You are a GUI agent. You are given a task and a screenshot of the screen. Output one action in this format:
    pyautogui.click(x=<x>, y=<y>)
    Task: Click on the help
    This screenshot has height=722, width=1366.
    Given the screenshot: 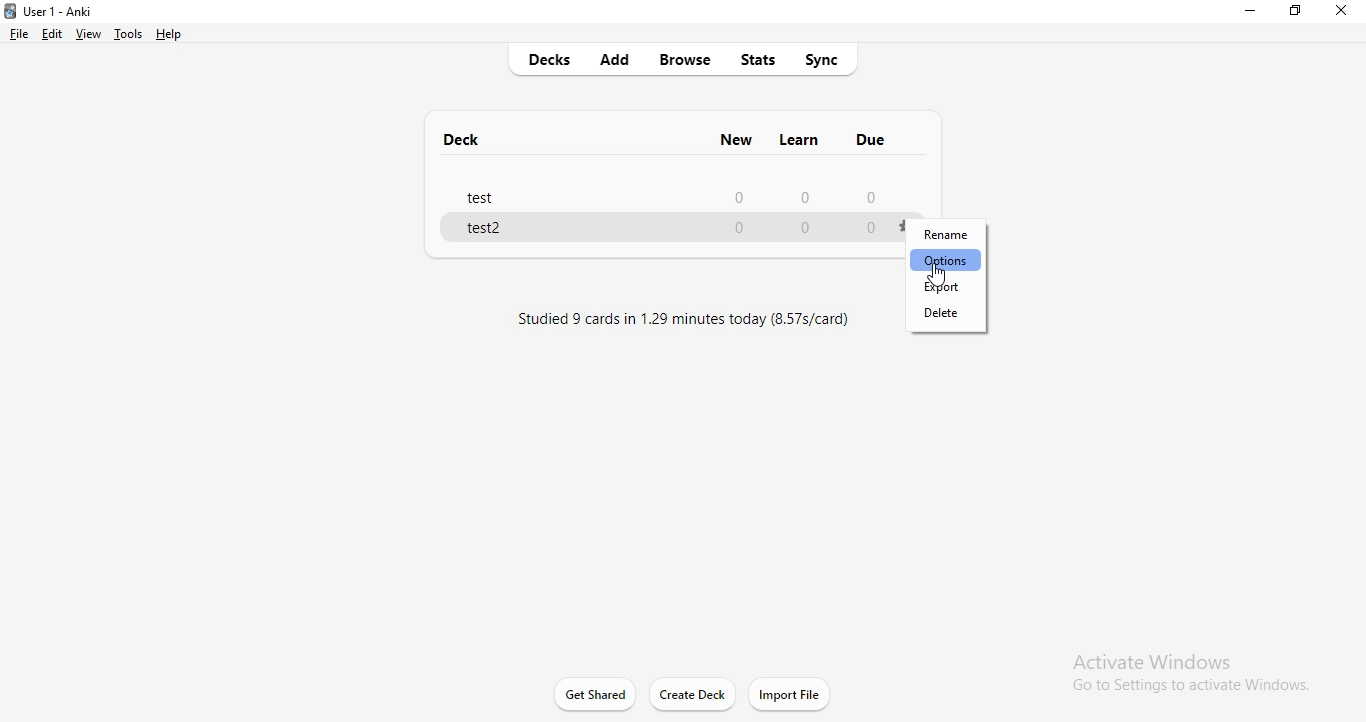 What is the action you would take?
    pyautogui.click(x=170, y=35)
    